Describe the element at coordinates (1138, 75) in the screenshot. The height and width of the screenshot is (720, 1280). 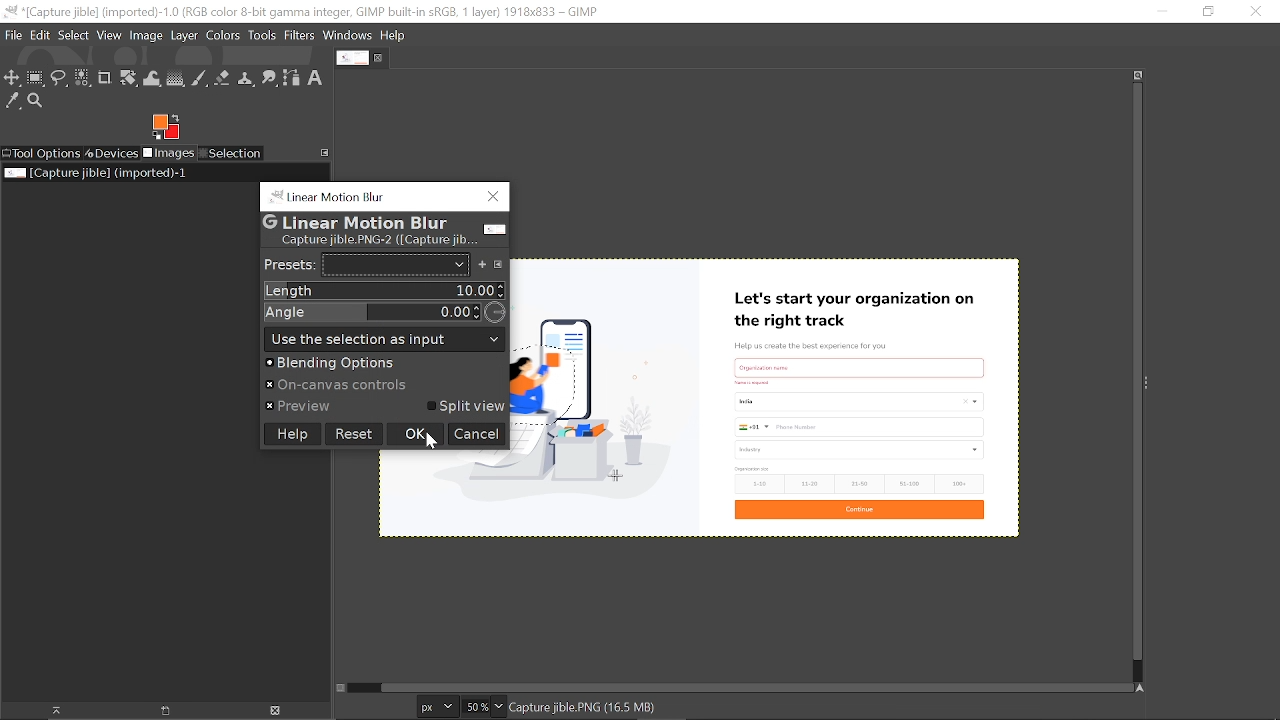
I see `Zoom when widow size changes` at that location.